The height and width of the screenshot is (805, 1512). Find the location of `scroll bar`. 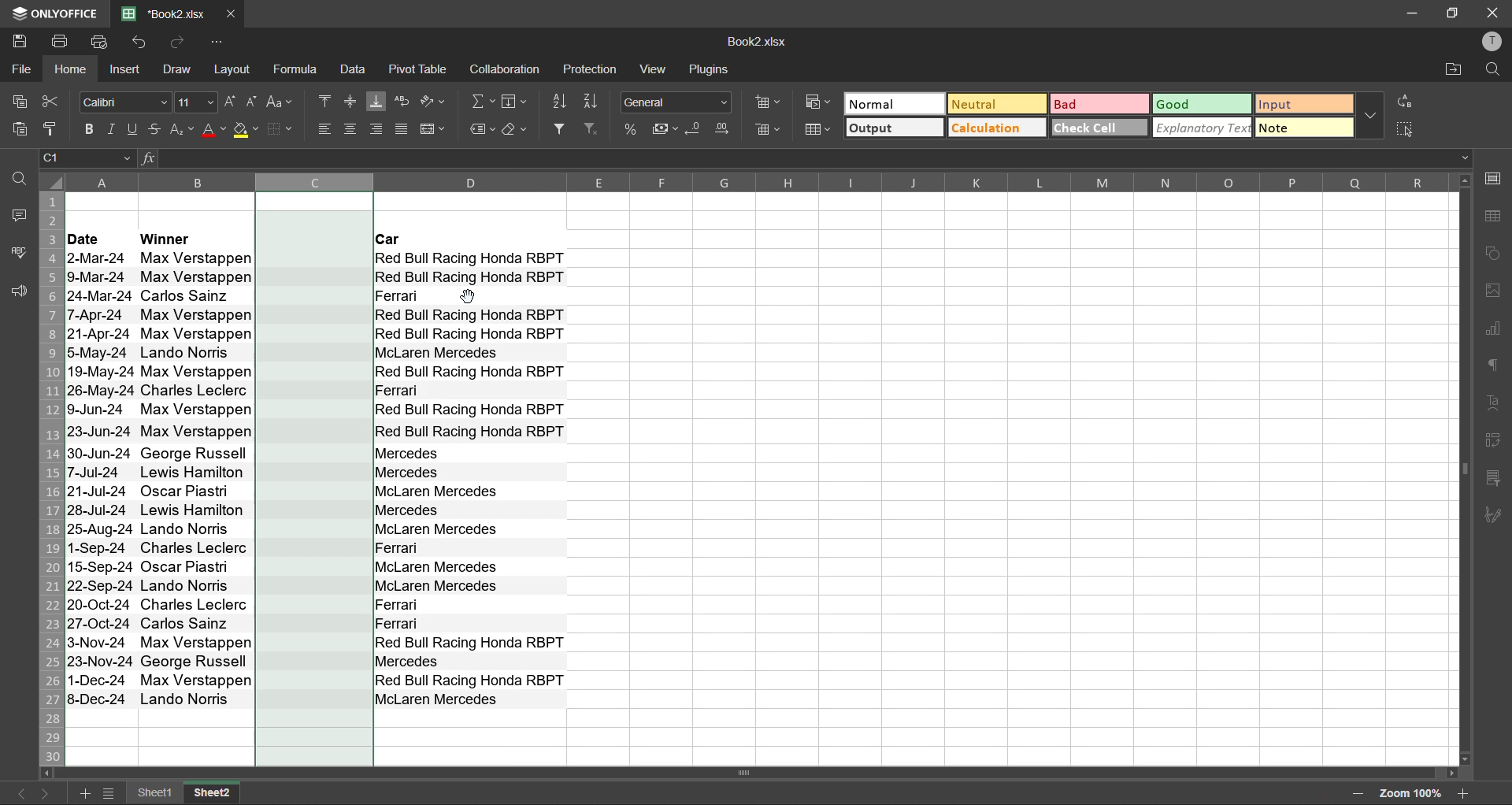

scroll bar is located at coordinates (708, 774).